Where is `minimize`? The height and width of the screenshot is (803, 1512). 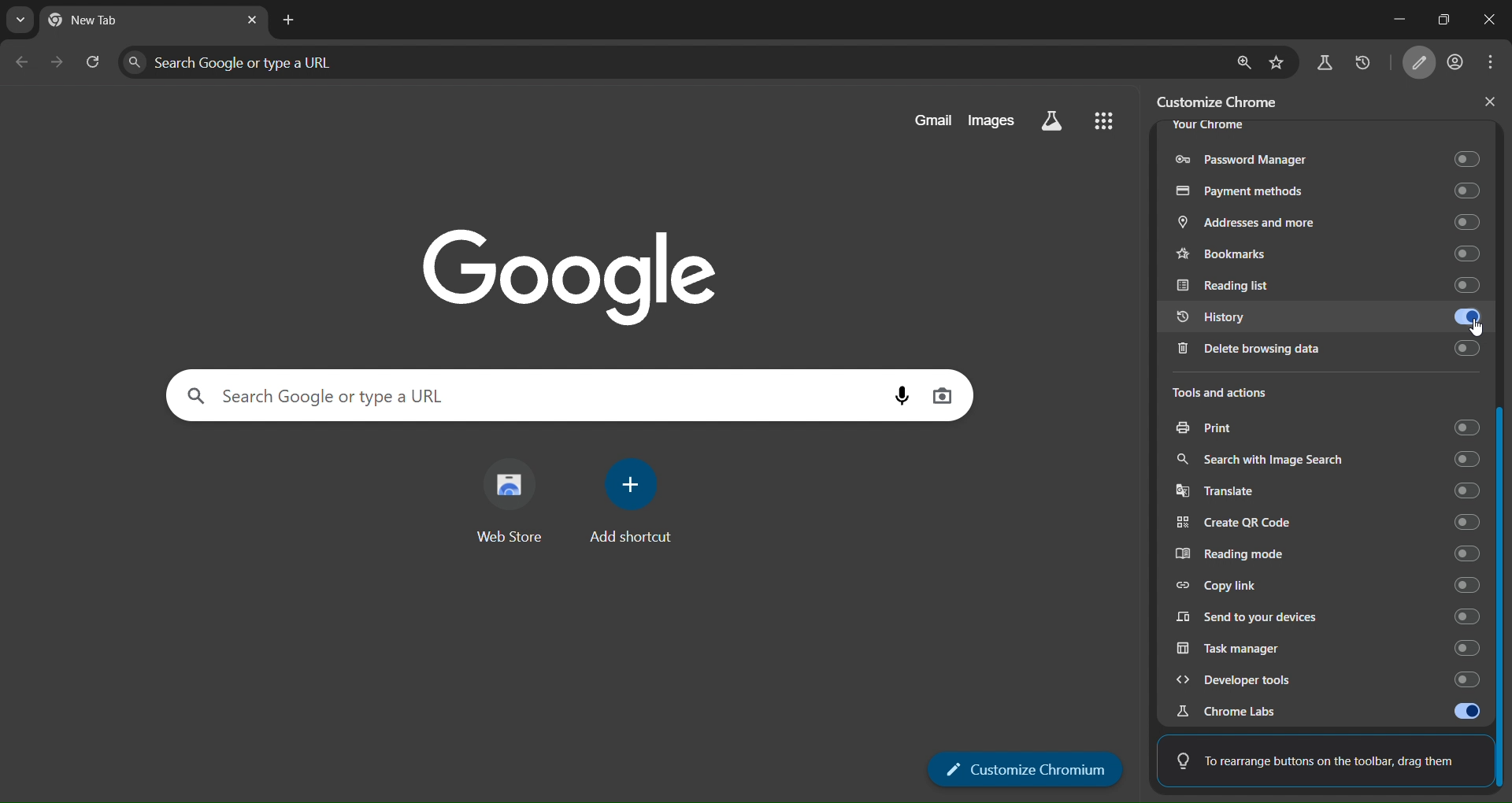
minimize is located at coordinates (1382, 20).